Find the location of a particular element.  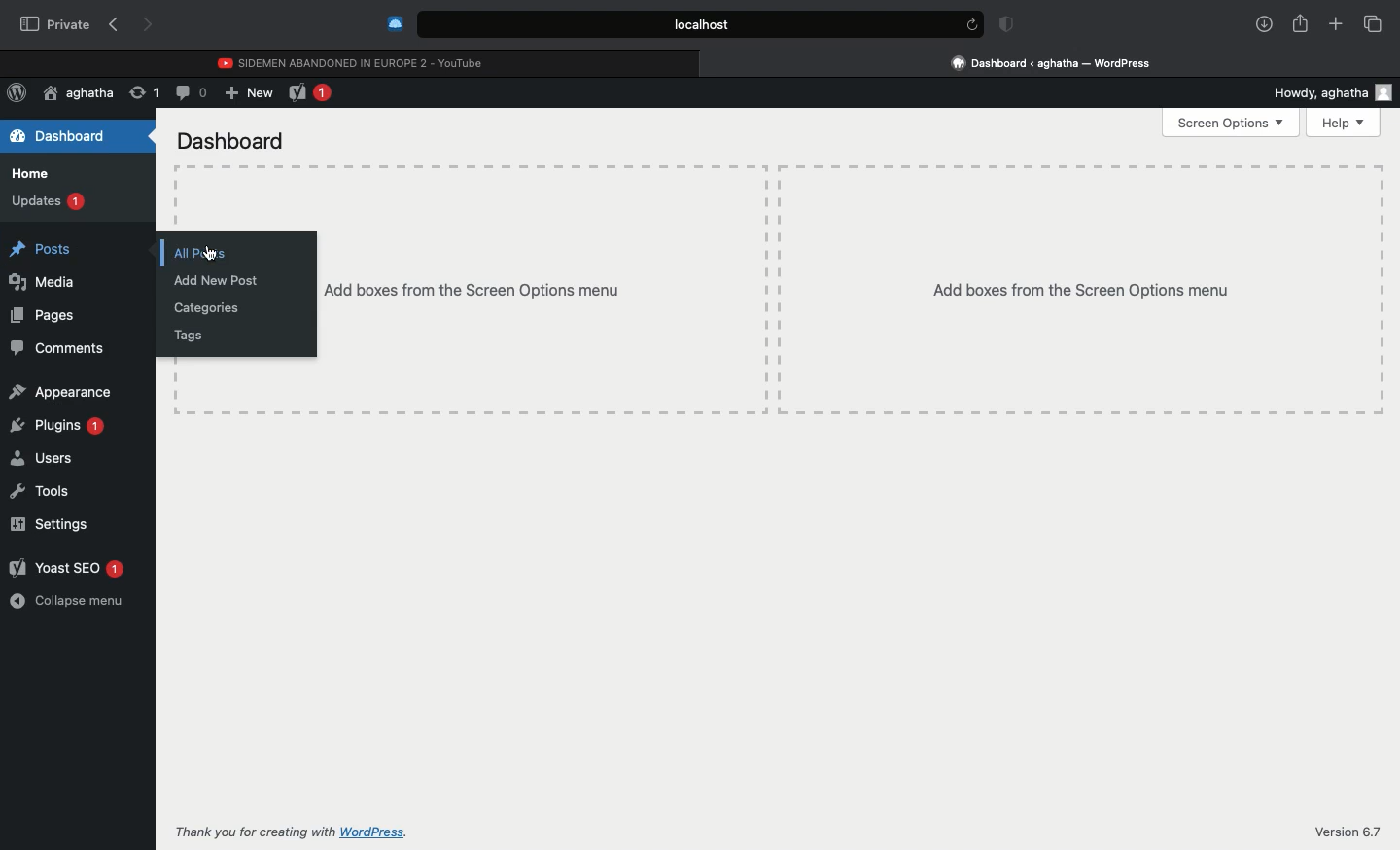

Categories is located at coordinates (205, 308).